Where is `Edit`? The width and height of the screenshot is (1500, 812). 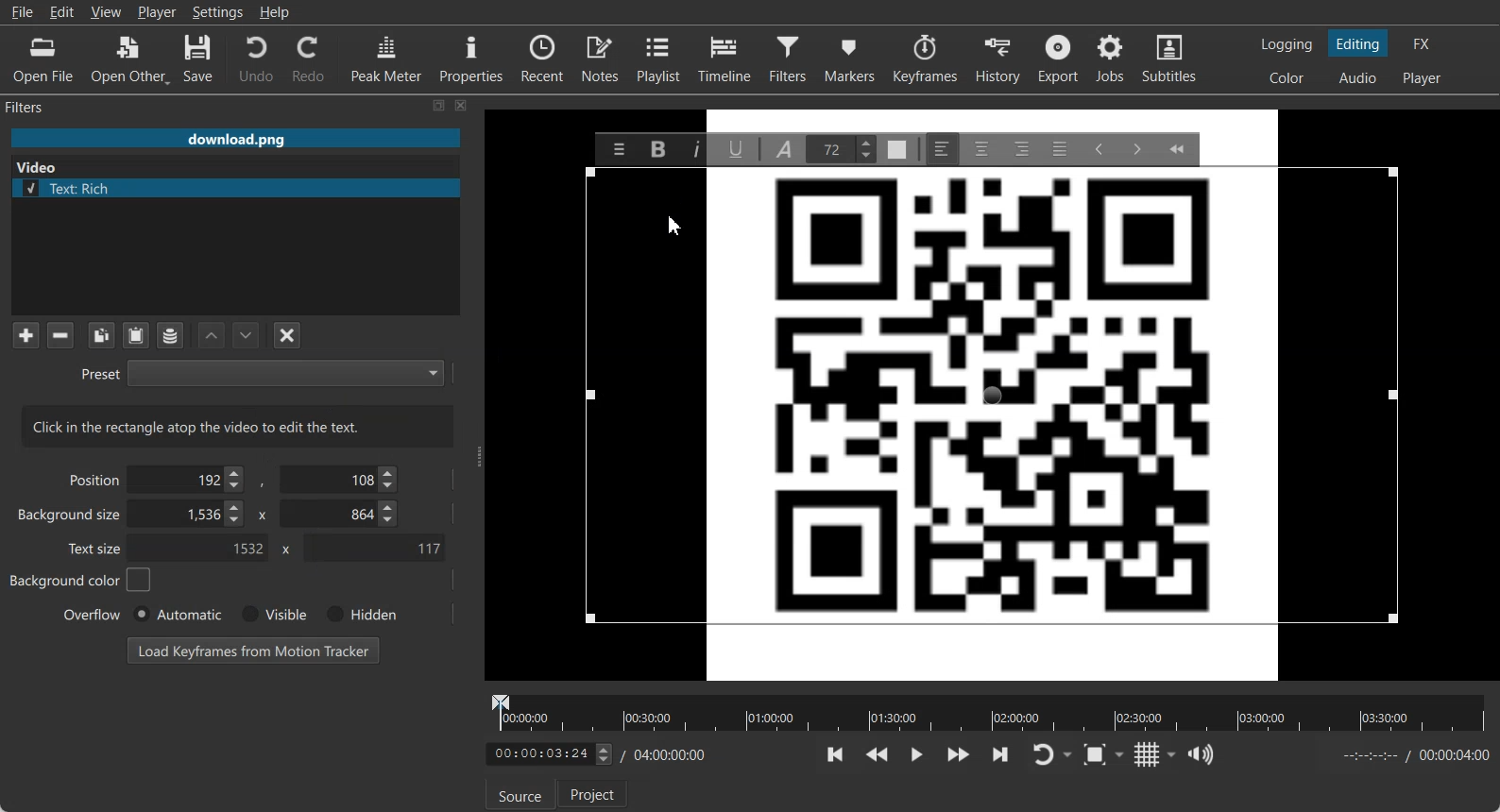 Edit is located at coordinates (62, 11).